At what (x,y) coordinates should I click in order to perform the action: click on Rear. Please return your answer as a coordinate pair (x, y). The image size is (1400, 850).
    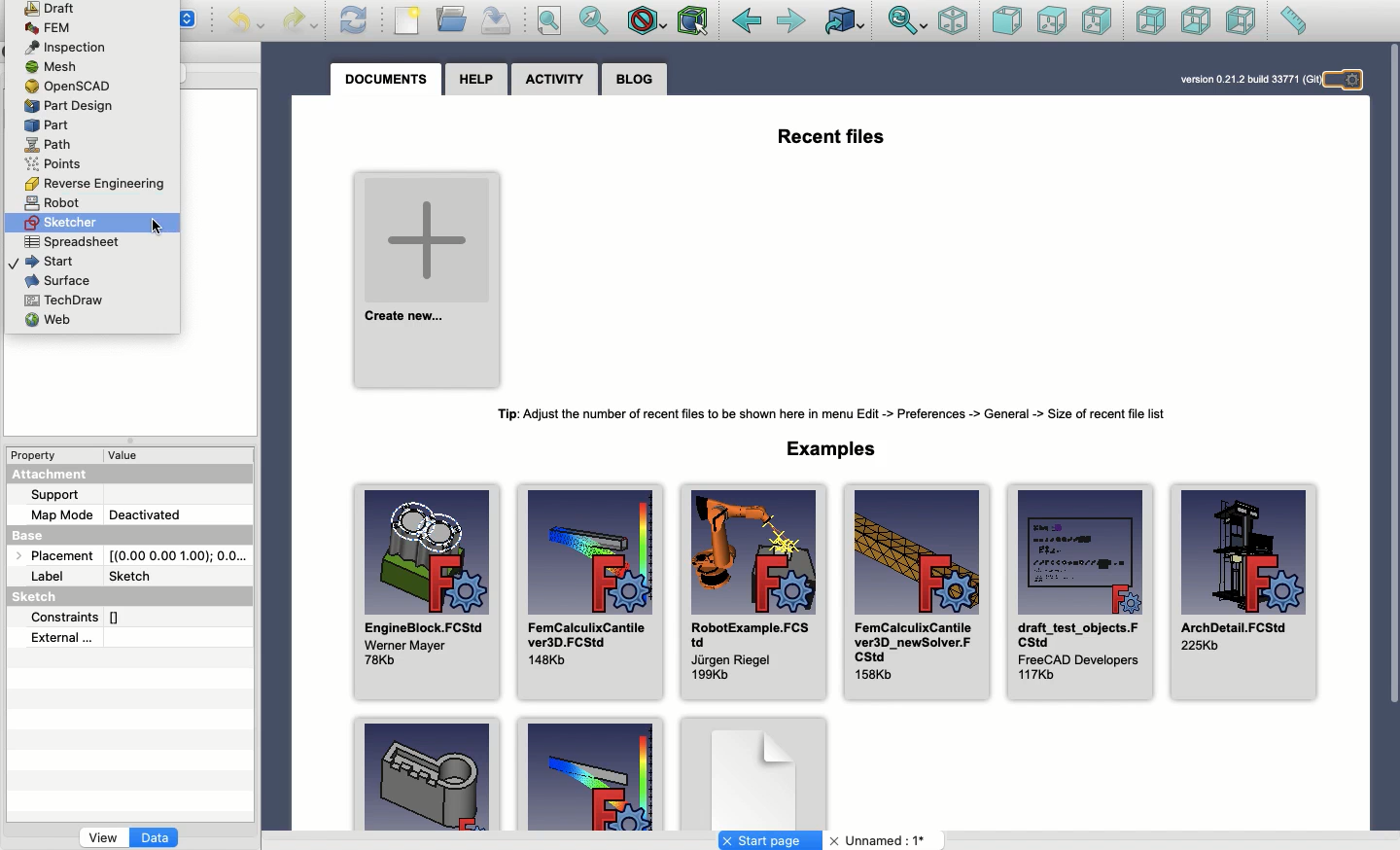
    Looking at the image, I should click on (1151, 20).